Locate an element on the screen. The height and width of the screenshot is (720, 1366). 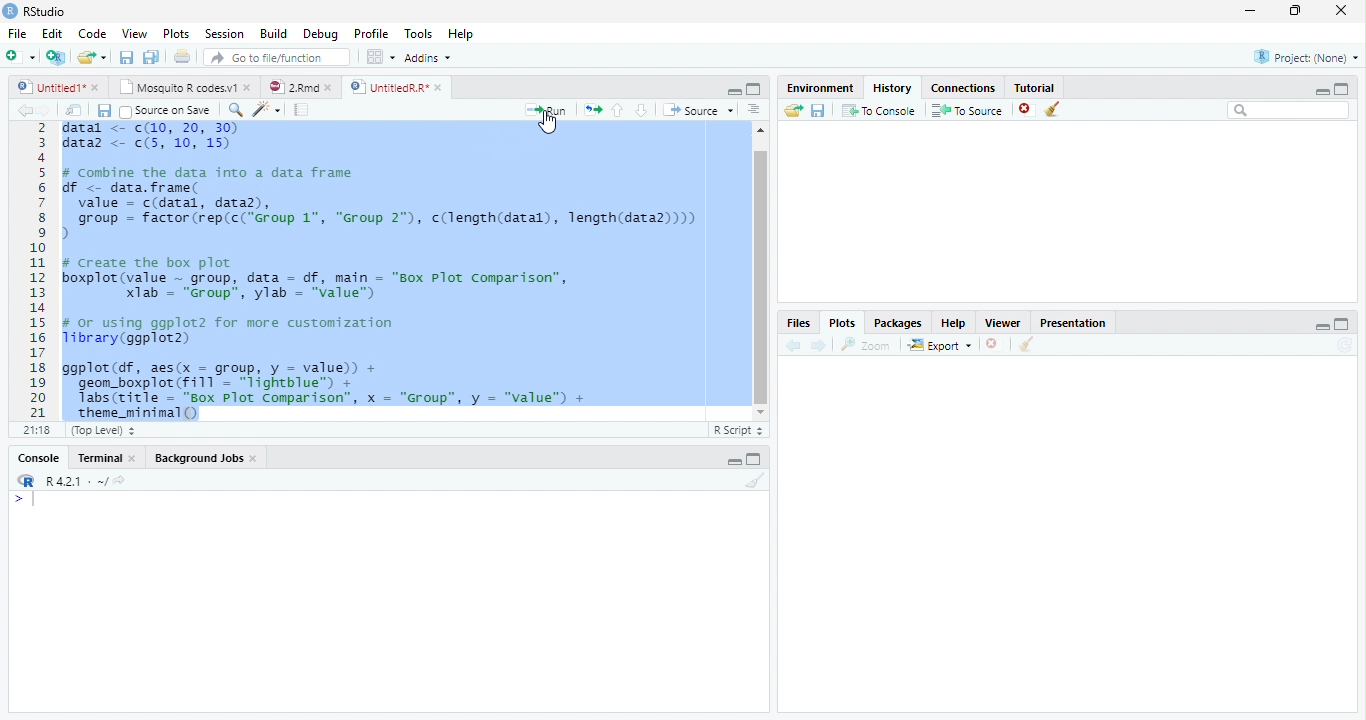
Source is located at coordinates (699, 110).